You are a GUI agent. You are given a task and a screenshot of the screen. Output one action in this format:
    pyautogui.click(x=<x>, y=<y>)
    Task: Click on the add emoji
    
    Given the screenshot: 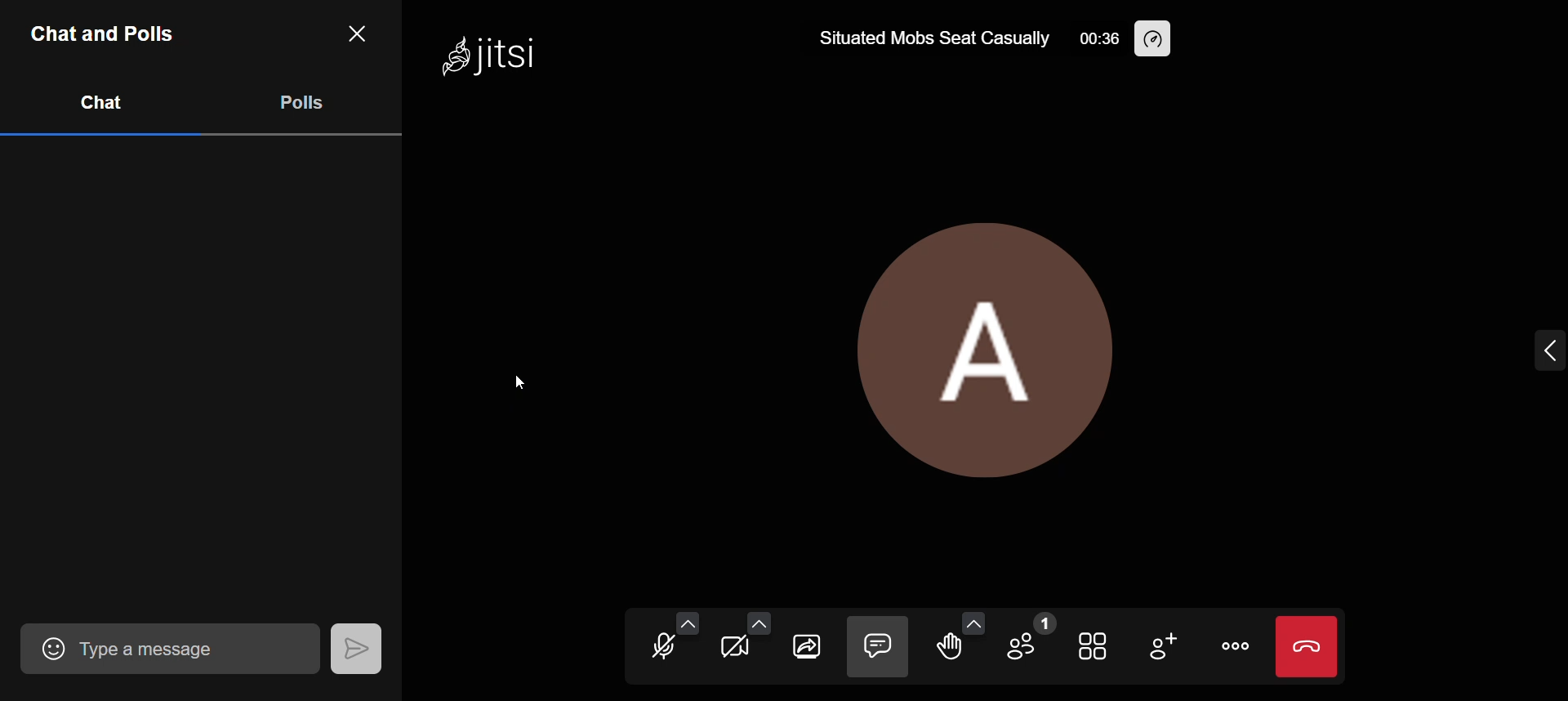 What is the action you would take?
    pyautogui.click(x=43, y=647)
    